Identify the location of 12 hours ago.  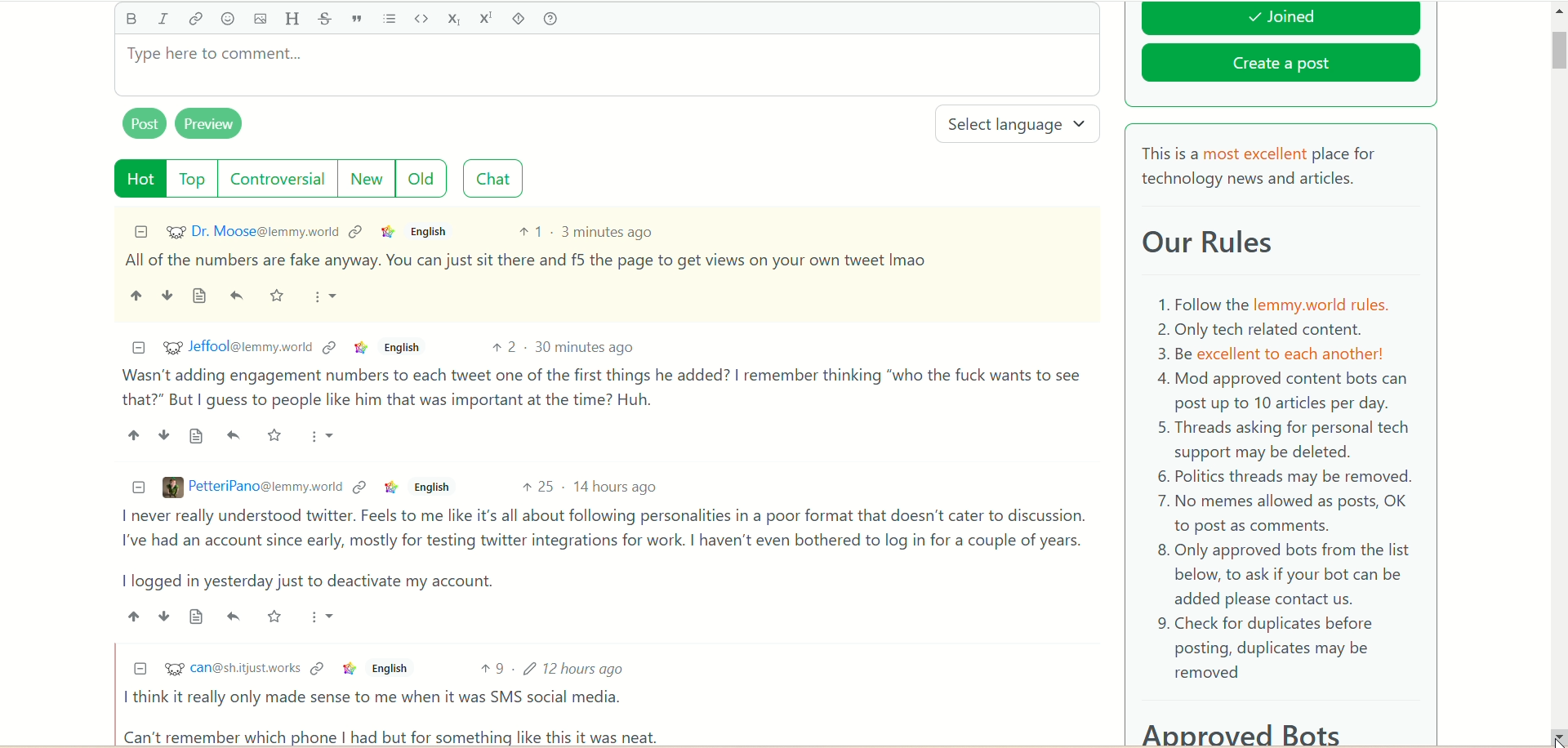
(578, 667).